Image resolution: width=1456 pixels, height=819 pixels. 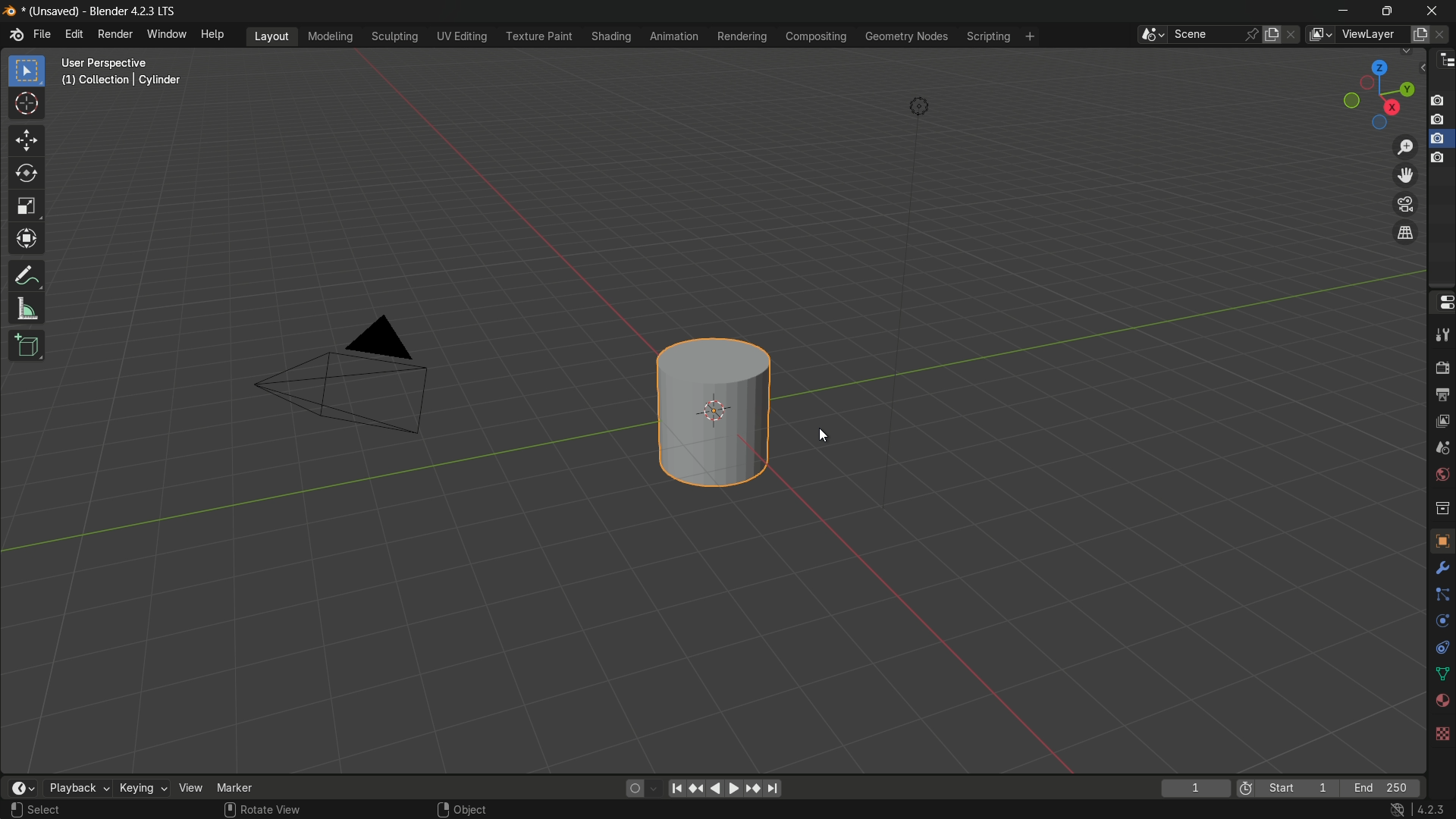 What do you see at coordinates (273, 36) in the screenshot?
I see `layout menu` at bounding box center [273, 36].